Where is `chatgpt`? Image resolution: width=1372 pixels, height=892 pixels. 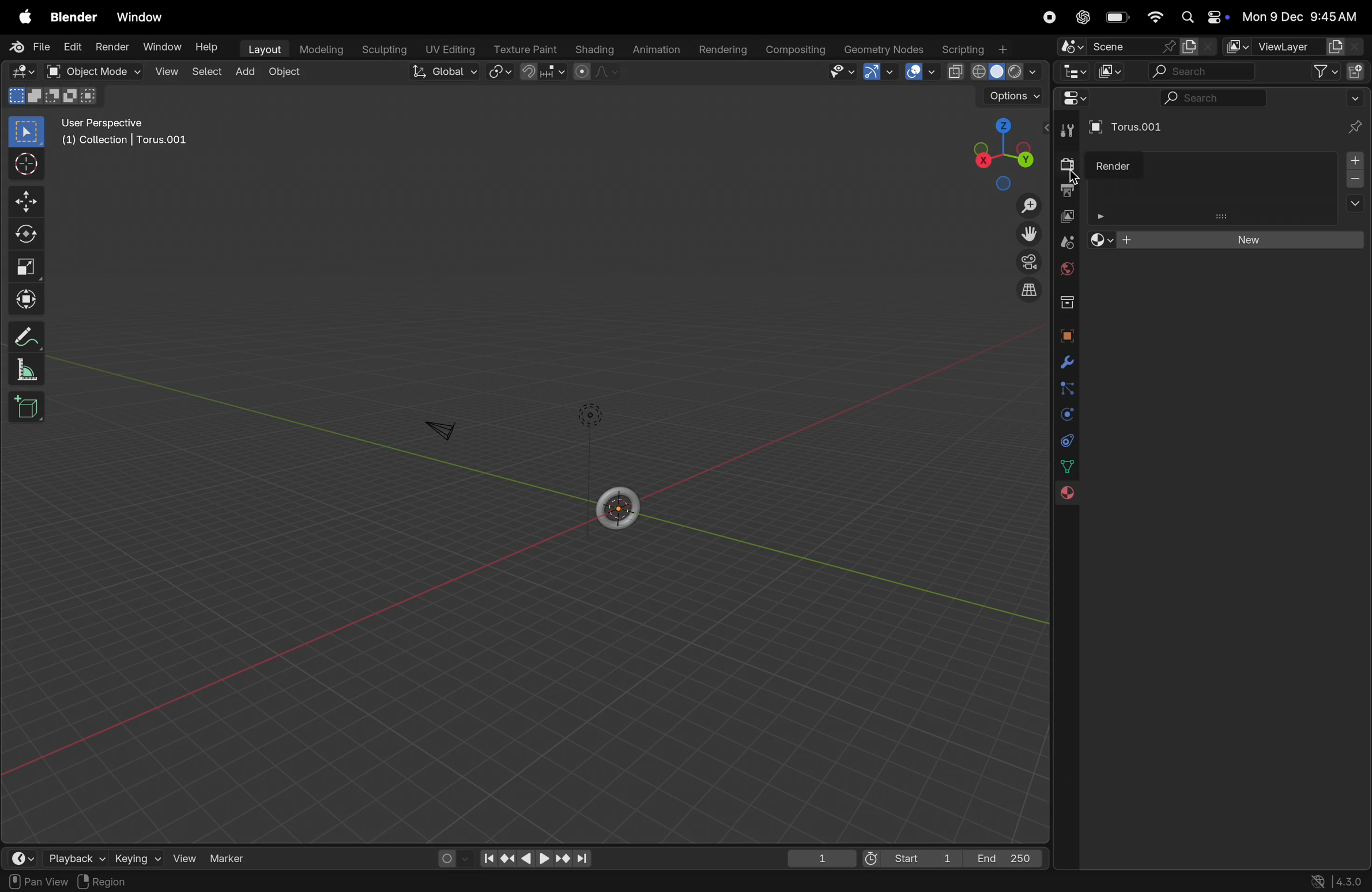
chatgpt is located at coordinates (1081, 17).